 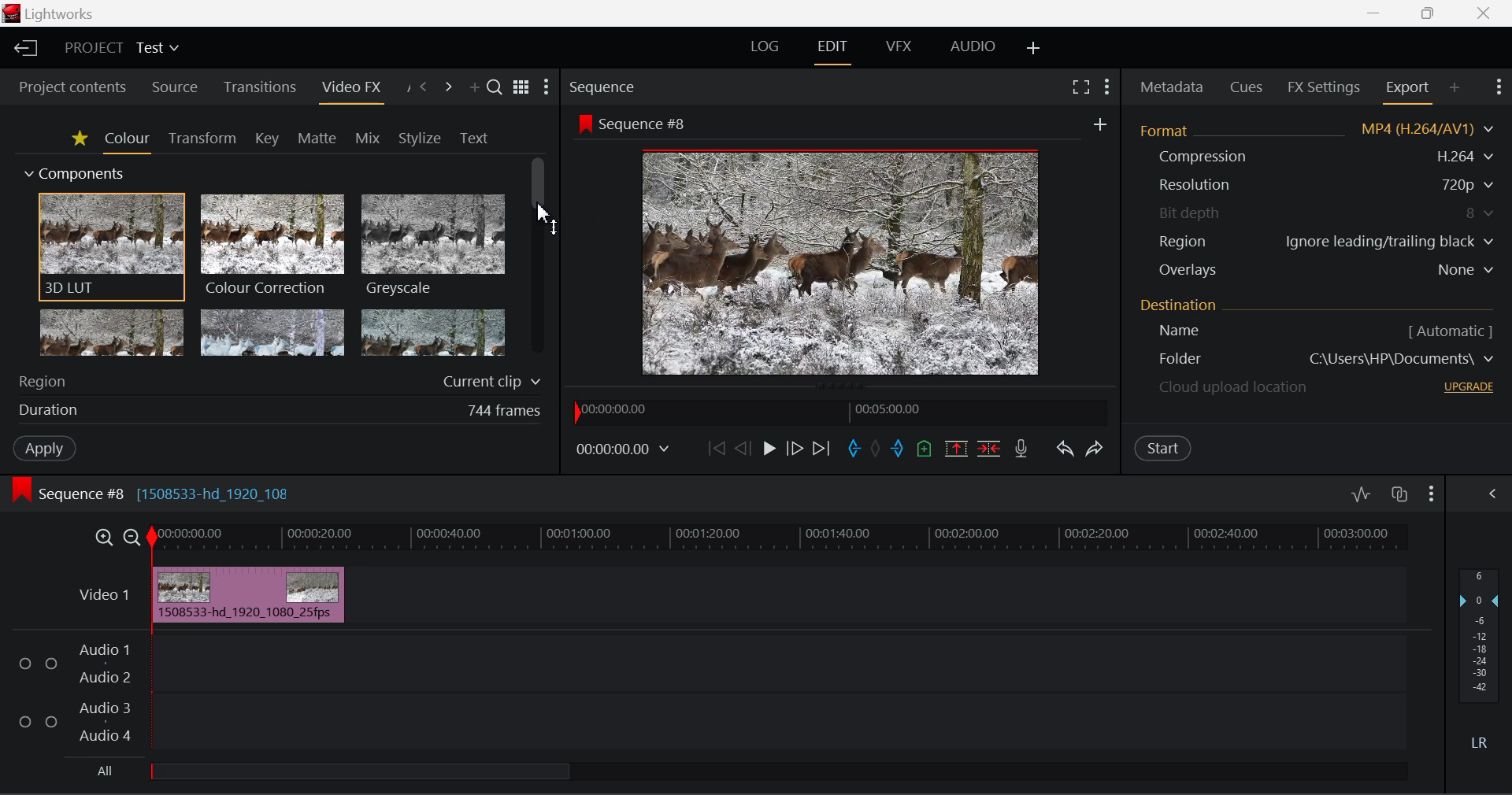 What do you see at coordinates (954, 449) in the screenshot?
I see `Remove marked section` at bounding box center [954, 449].